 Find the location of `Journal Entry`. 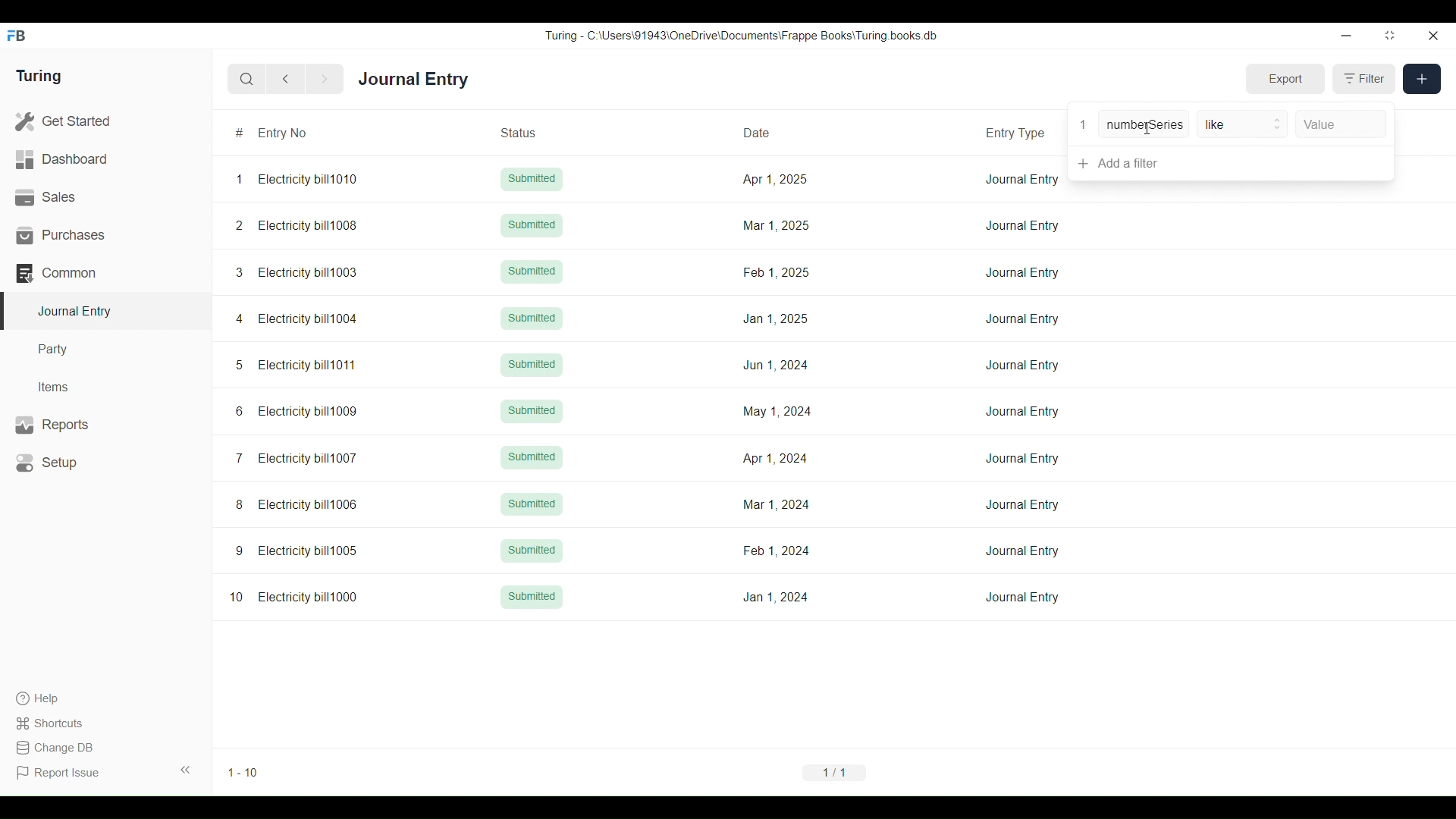

Journal Entry is located at coordinates (1023, 412).